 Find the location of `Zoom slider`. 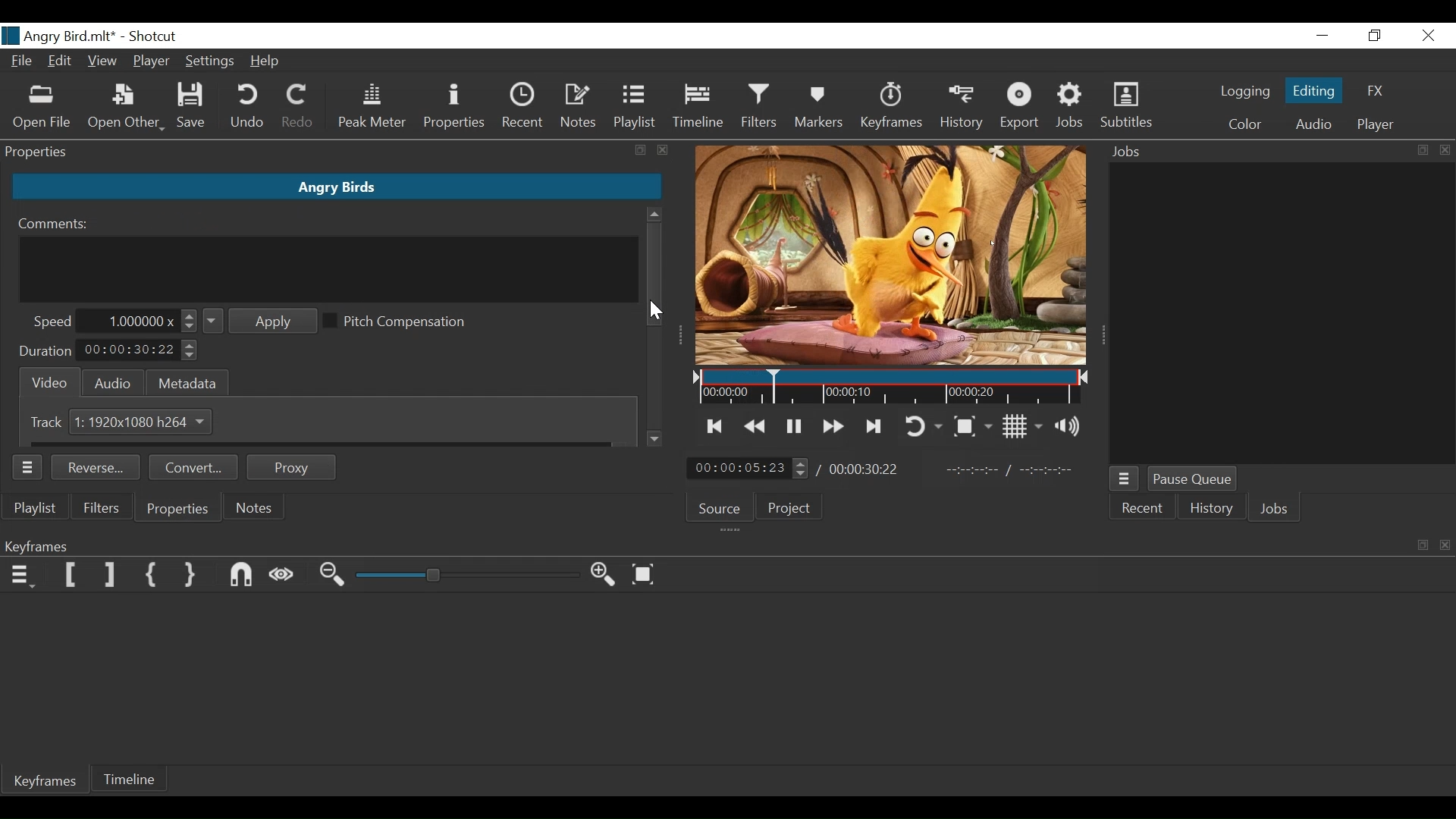

Zoom slider is located at coordinates (467, 576).